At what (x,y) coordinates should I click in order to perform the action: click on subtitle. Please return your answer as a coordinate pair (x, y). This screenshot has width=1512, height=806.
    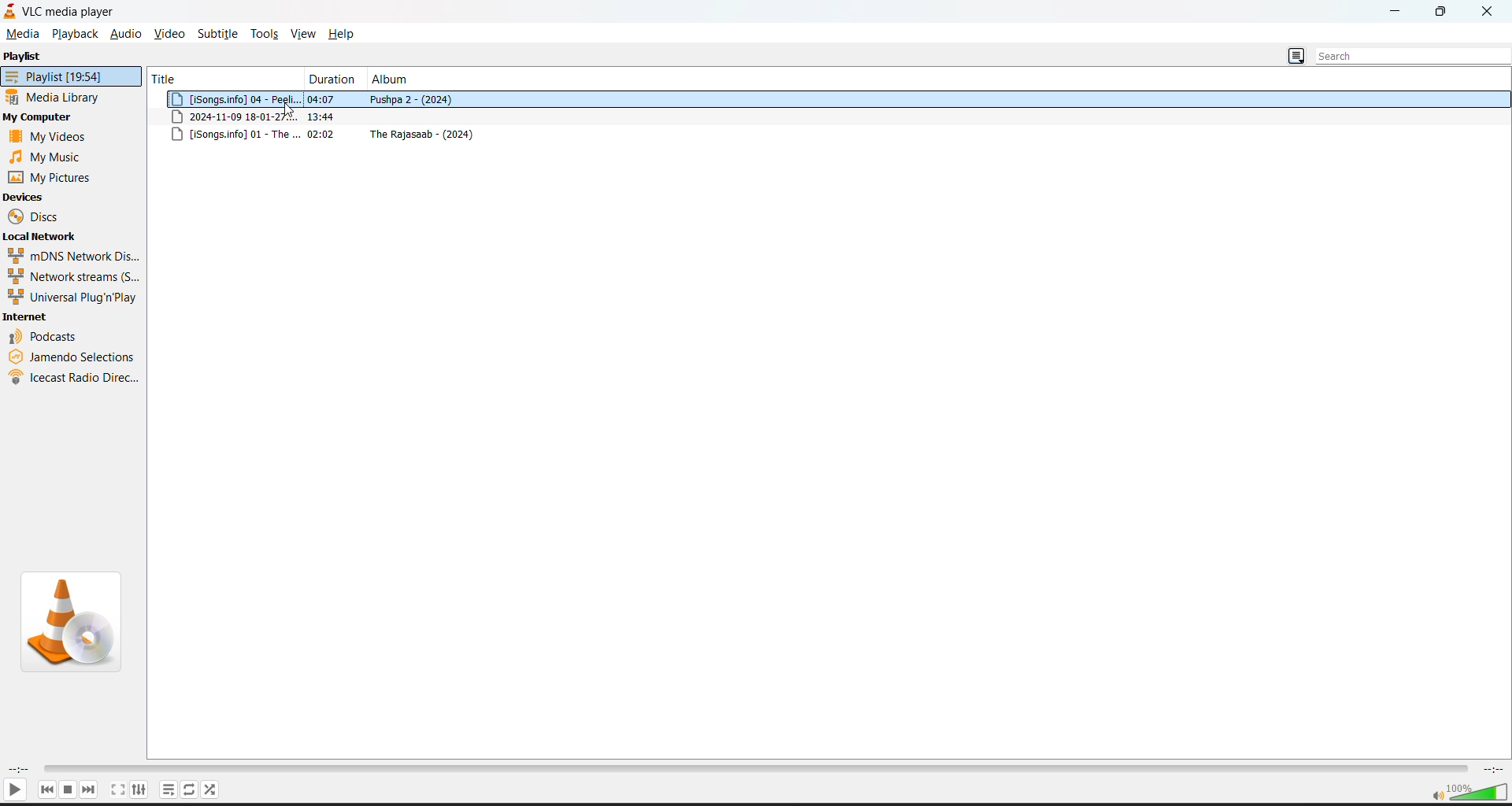
    Looking at the image, I should click on (217, 33).